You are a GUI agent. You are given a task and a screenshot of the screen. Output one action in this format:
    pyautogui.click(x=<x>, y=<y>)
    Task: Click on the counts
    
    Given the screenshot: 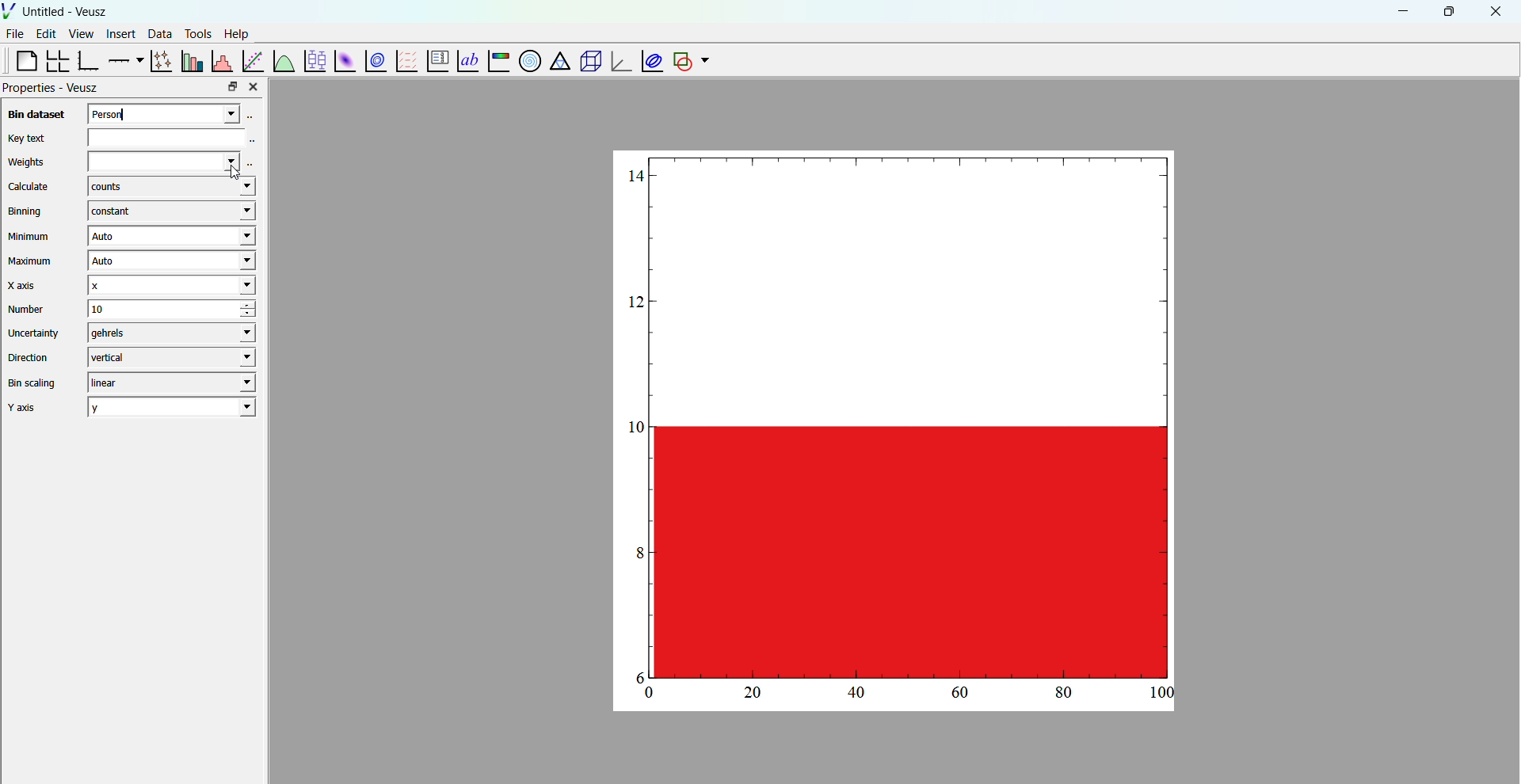 What is the action you would take?
    pyautogui.click(x=170, y=188)
    